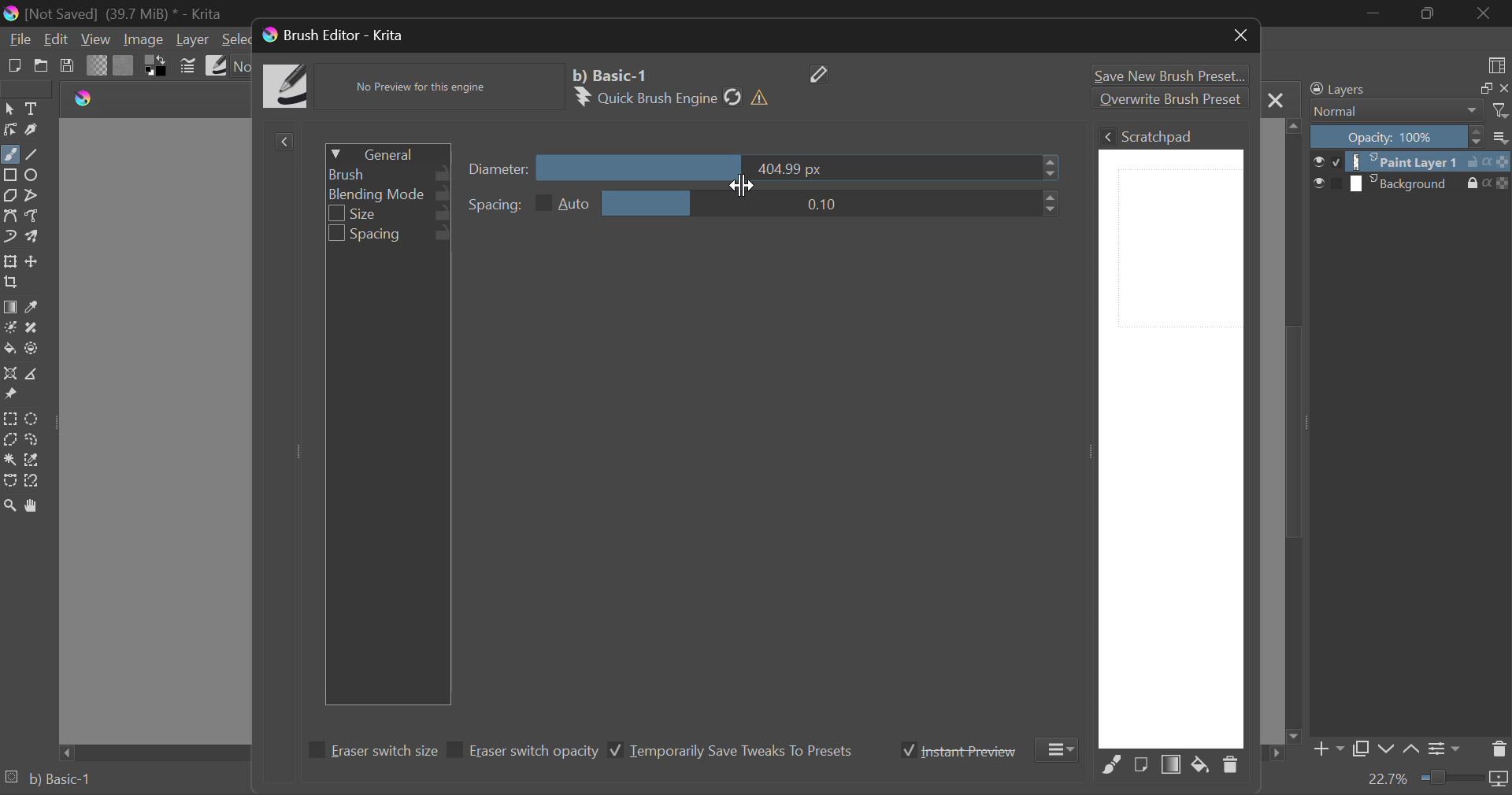  I want to click on Similar Color Selector, so click(33, 462).